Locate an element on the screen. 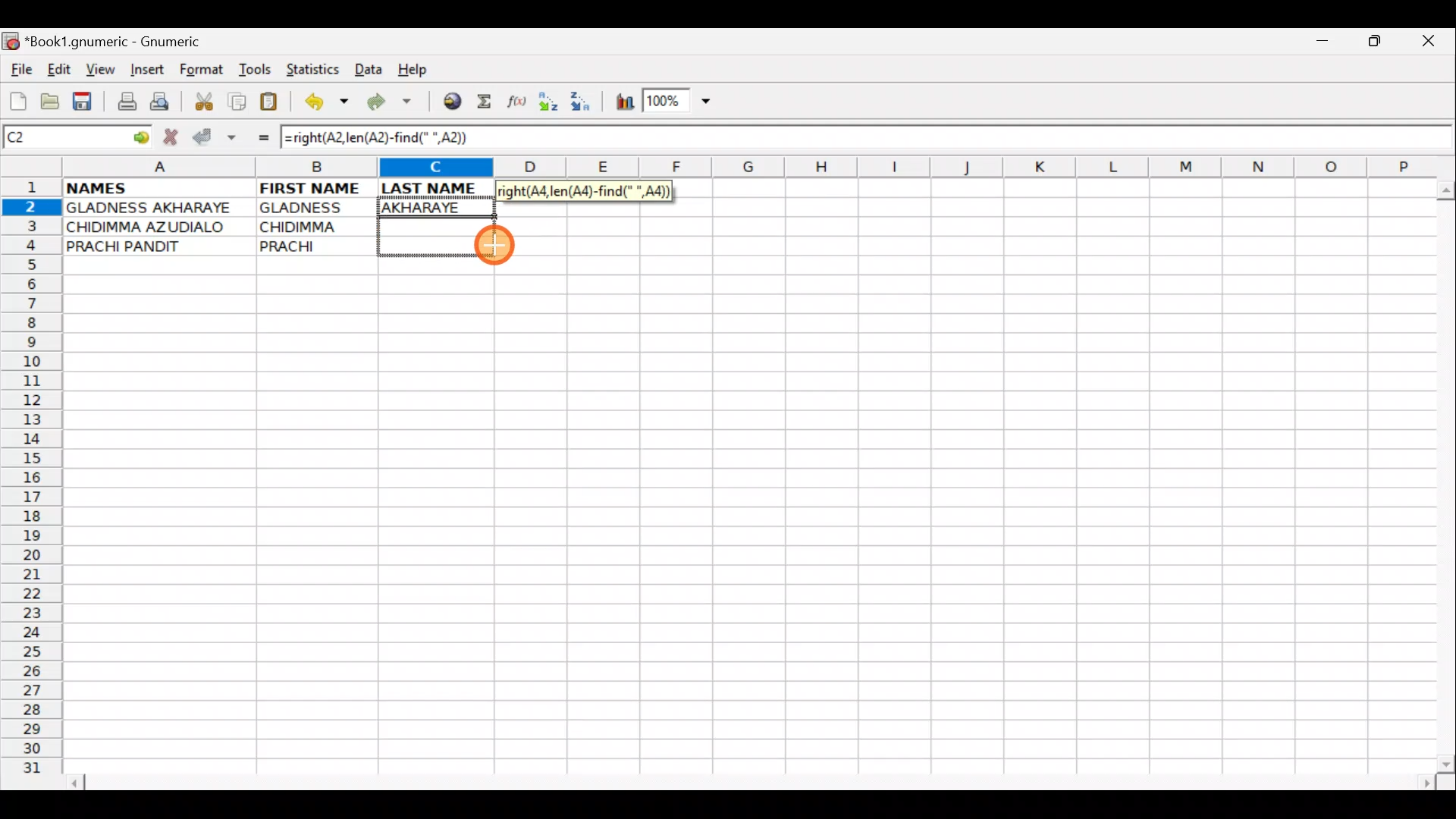 The image size is (1456, 819). CHIDIMMA is located at coordinates (317, 225).